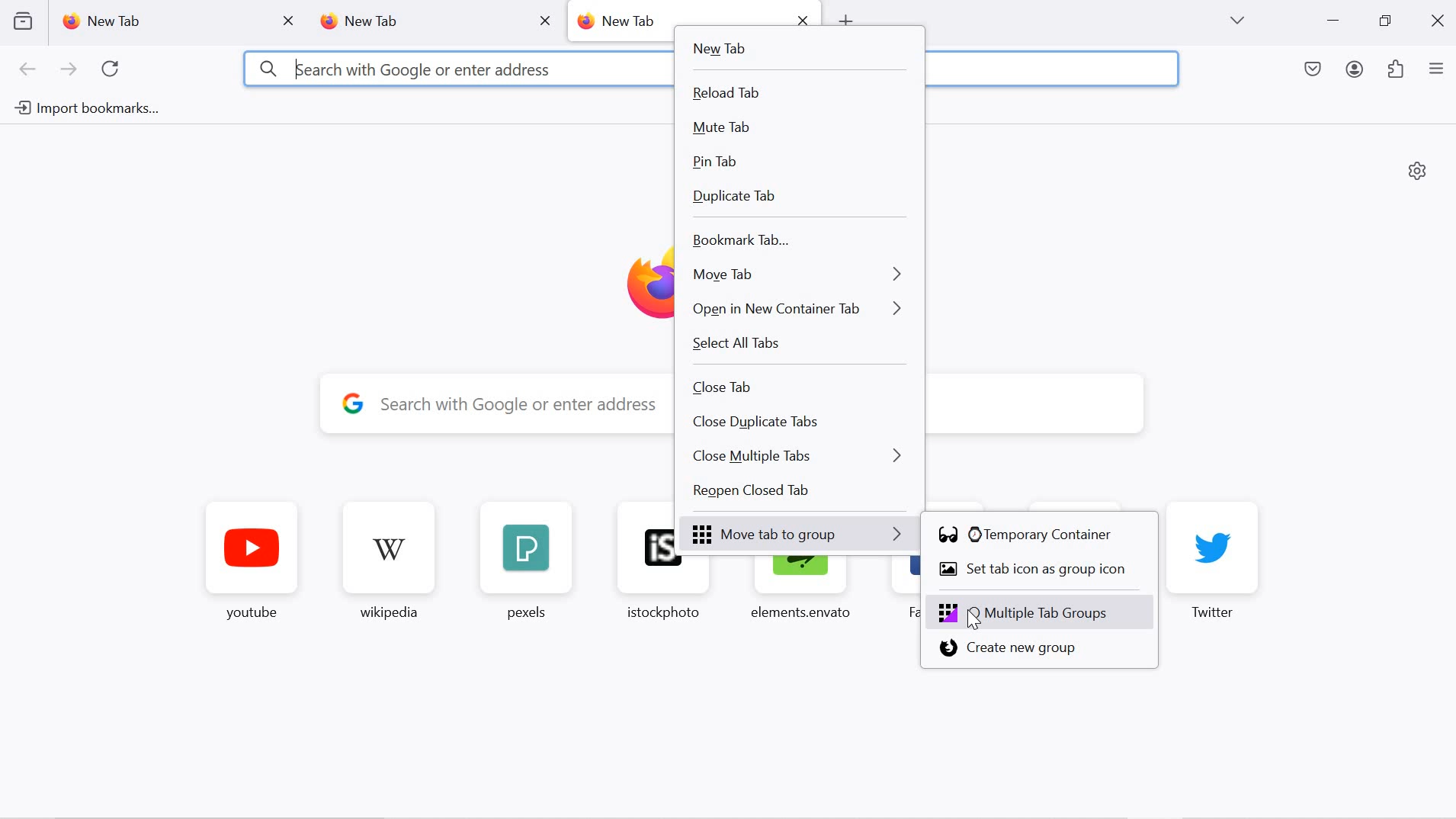 The image size is (1456, 819). Describe the element at coordinates (800, 534) in the screenshot. I see `move tab to group` at that location.